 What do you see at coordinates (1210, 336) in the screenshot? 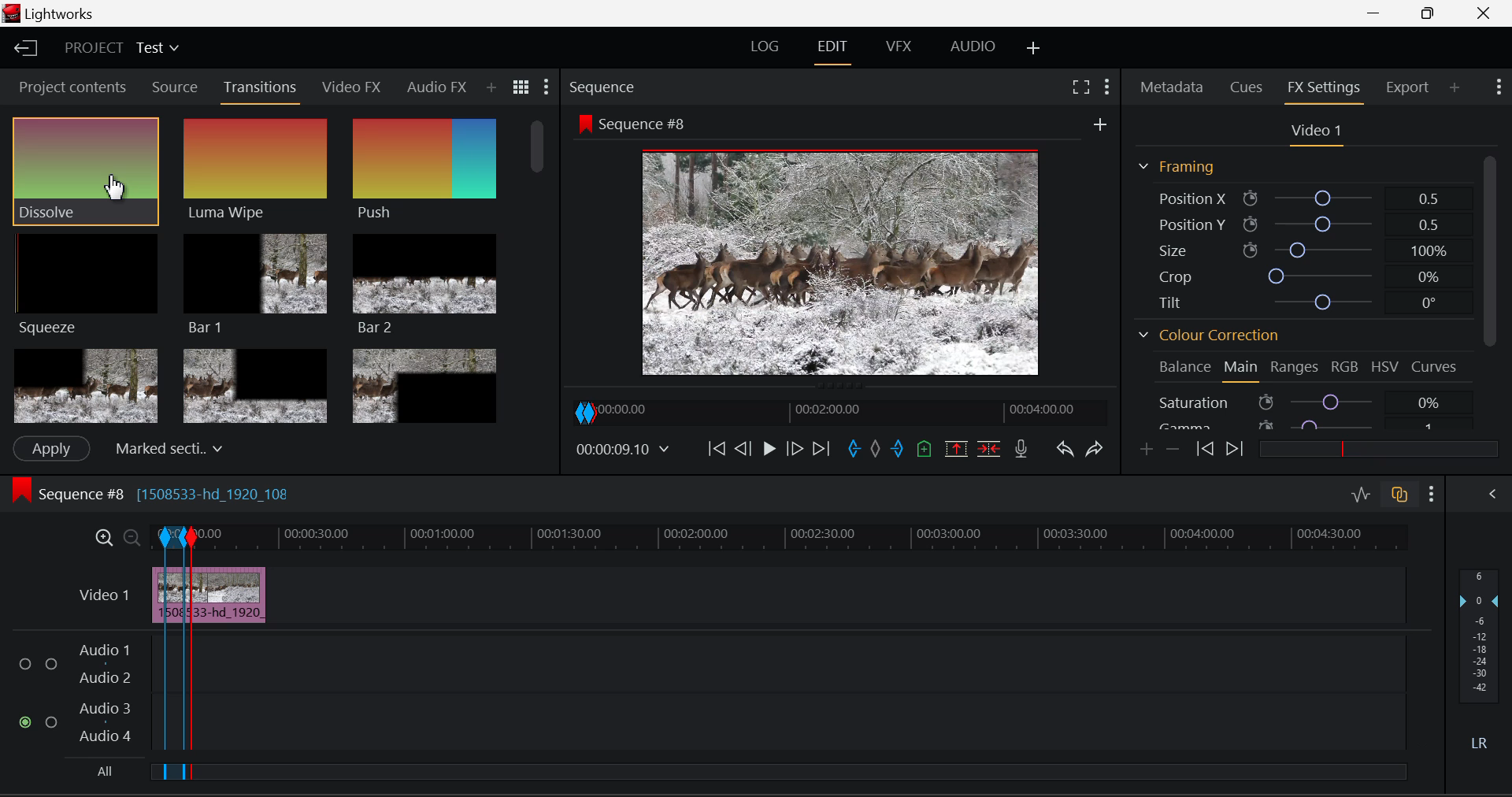
I see `Colour Correction Section` at bounding box center [1210, 336].